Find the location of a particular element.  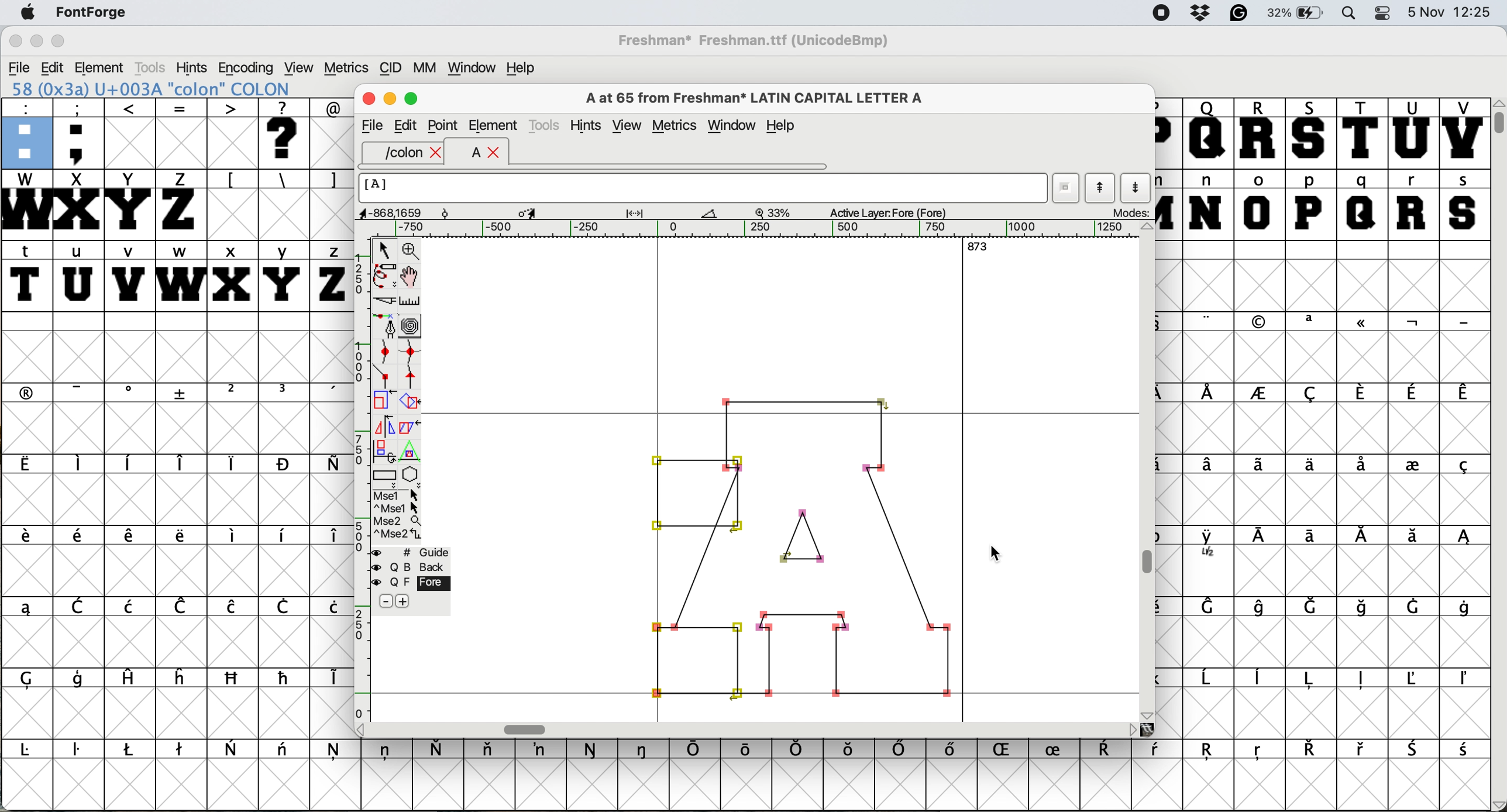

element is located at coordinates (493, 125).